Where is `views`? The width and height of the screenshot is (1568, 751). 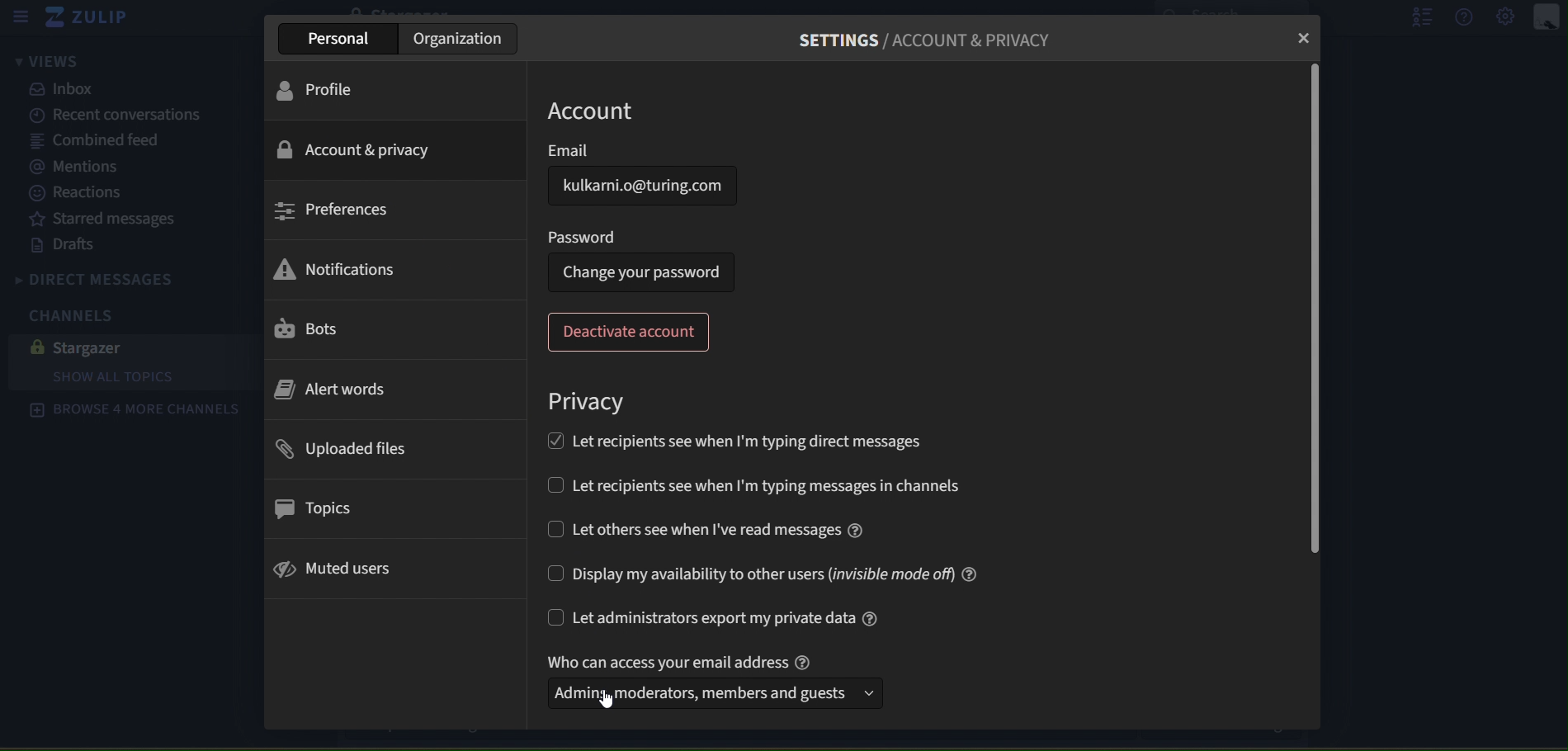 views is located at coordinates (44, 63).